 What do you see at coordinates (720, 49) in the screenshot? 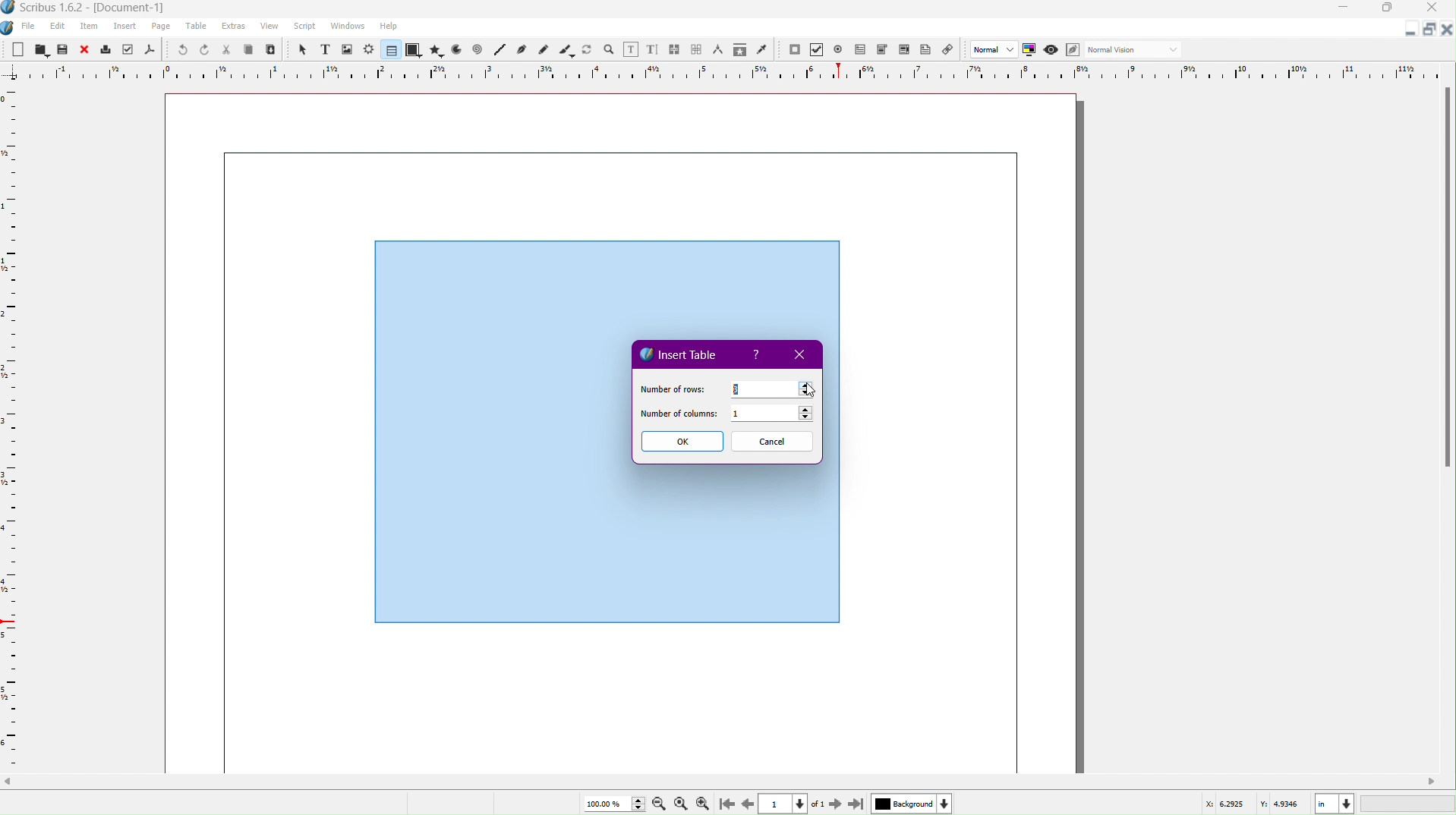
I see `Measurements` at bounding box center [720, 49].